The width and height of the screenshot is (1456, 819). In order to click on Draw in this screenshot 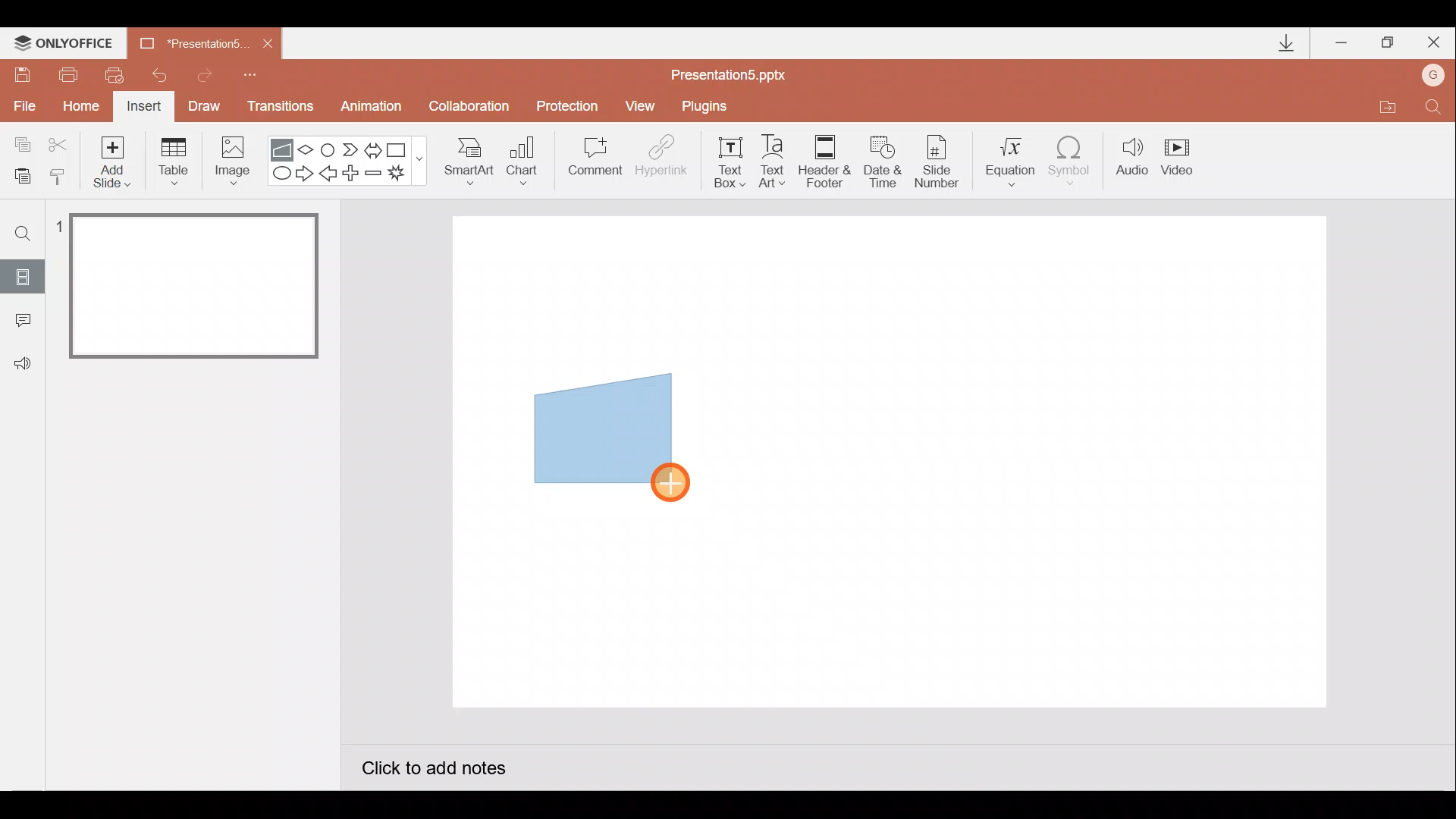, I will do `click(205, 105)`.